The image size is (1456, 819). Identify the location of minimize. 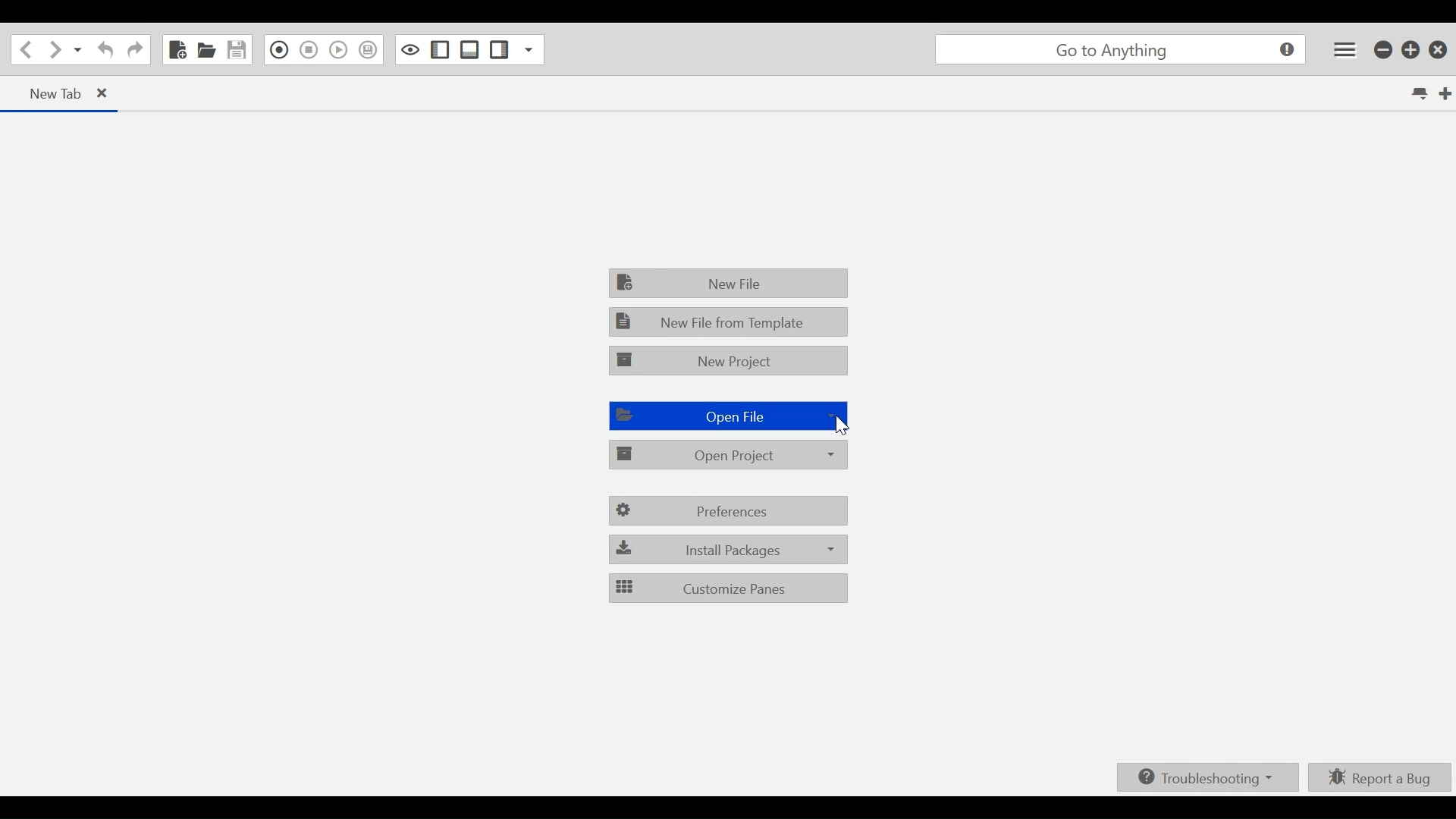
(1382, 50).